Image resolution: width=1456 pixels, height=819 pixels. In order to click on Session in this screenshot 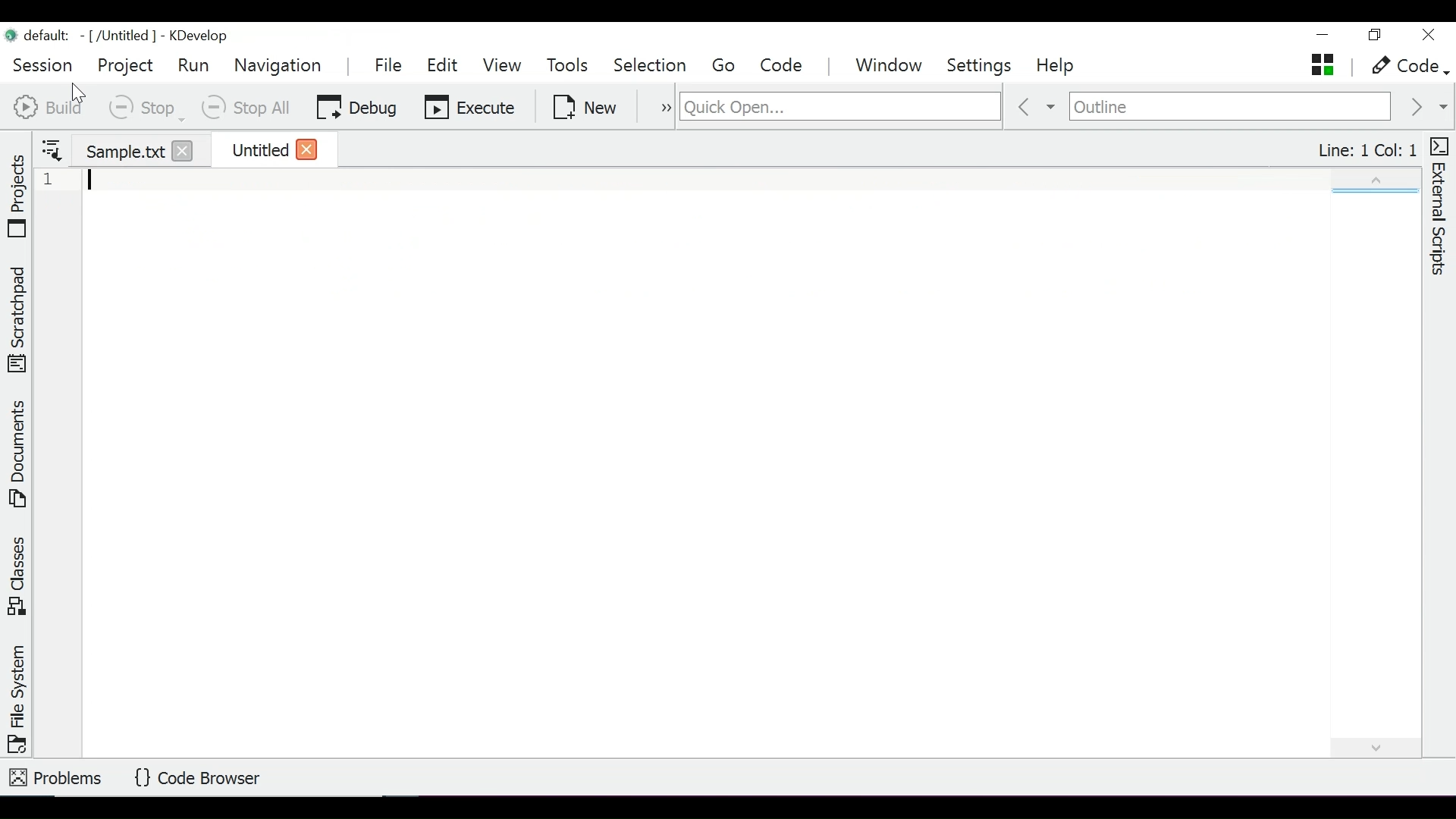, I will do `click(42, 64)`.